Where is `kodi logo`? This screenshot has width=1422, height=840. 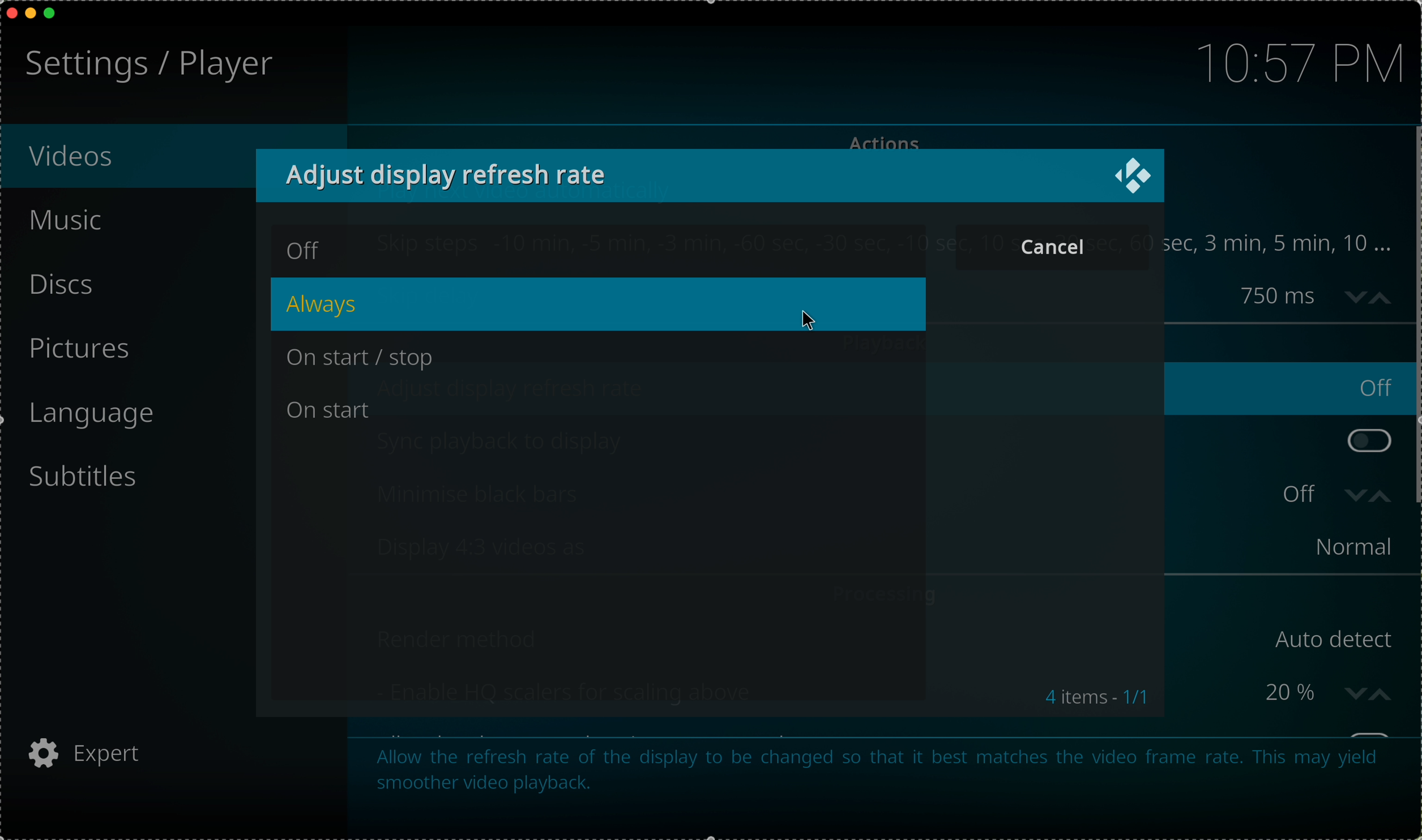 kodi logo is located at coordinates (1134, 173).